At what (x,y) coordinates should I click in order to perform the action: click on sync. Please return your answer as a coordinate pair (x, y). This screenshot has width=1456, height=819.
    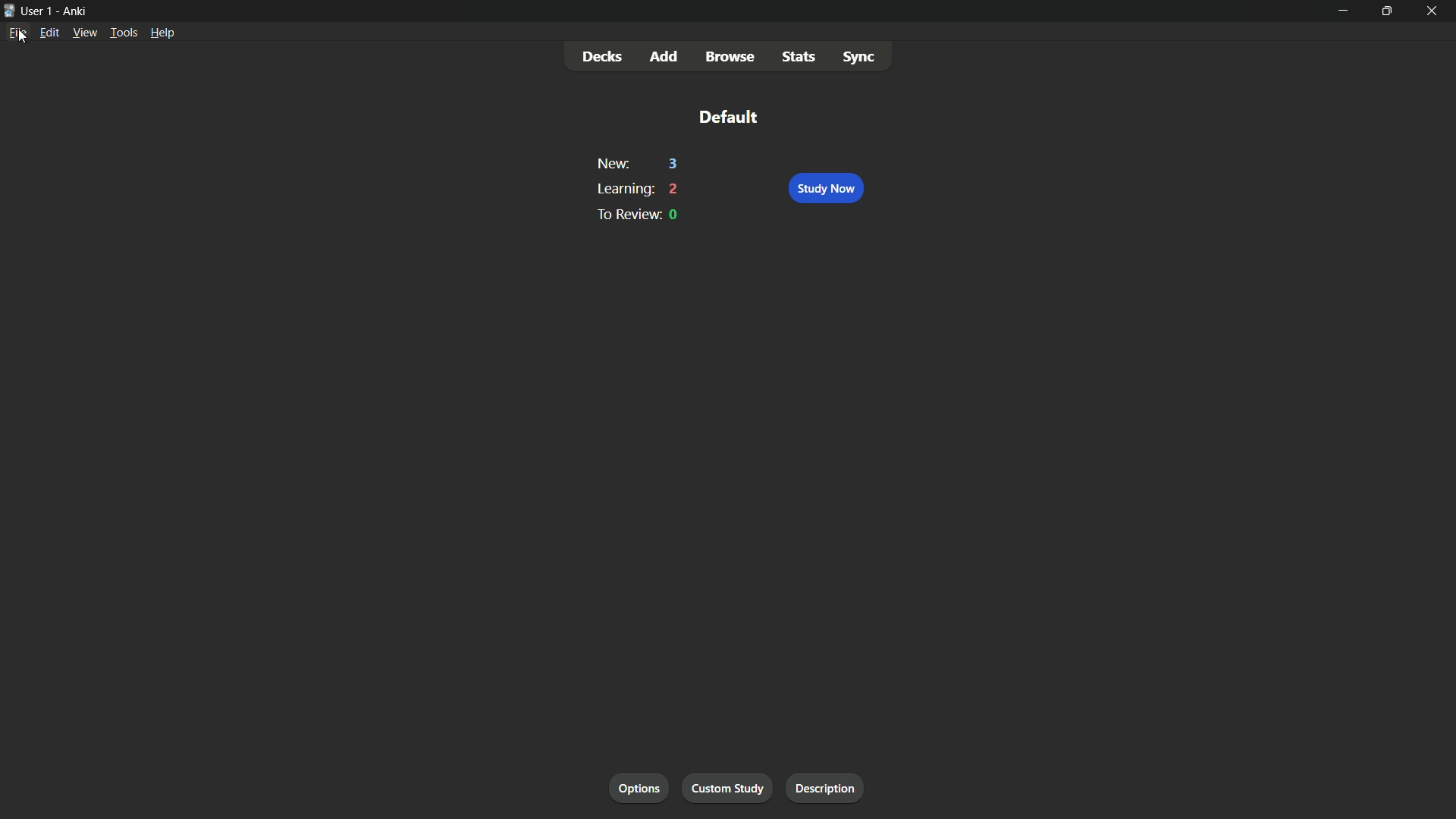
    Looking at the image, I should click on (858, 55).